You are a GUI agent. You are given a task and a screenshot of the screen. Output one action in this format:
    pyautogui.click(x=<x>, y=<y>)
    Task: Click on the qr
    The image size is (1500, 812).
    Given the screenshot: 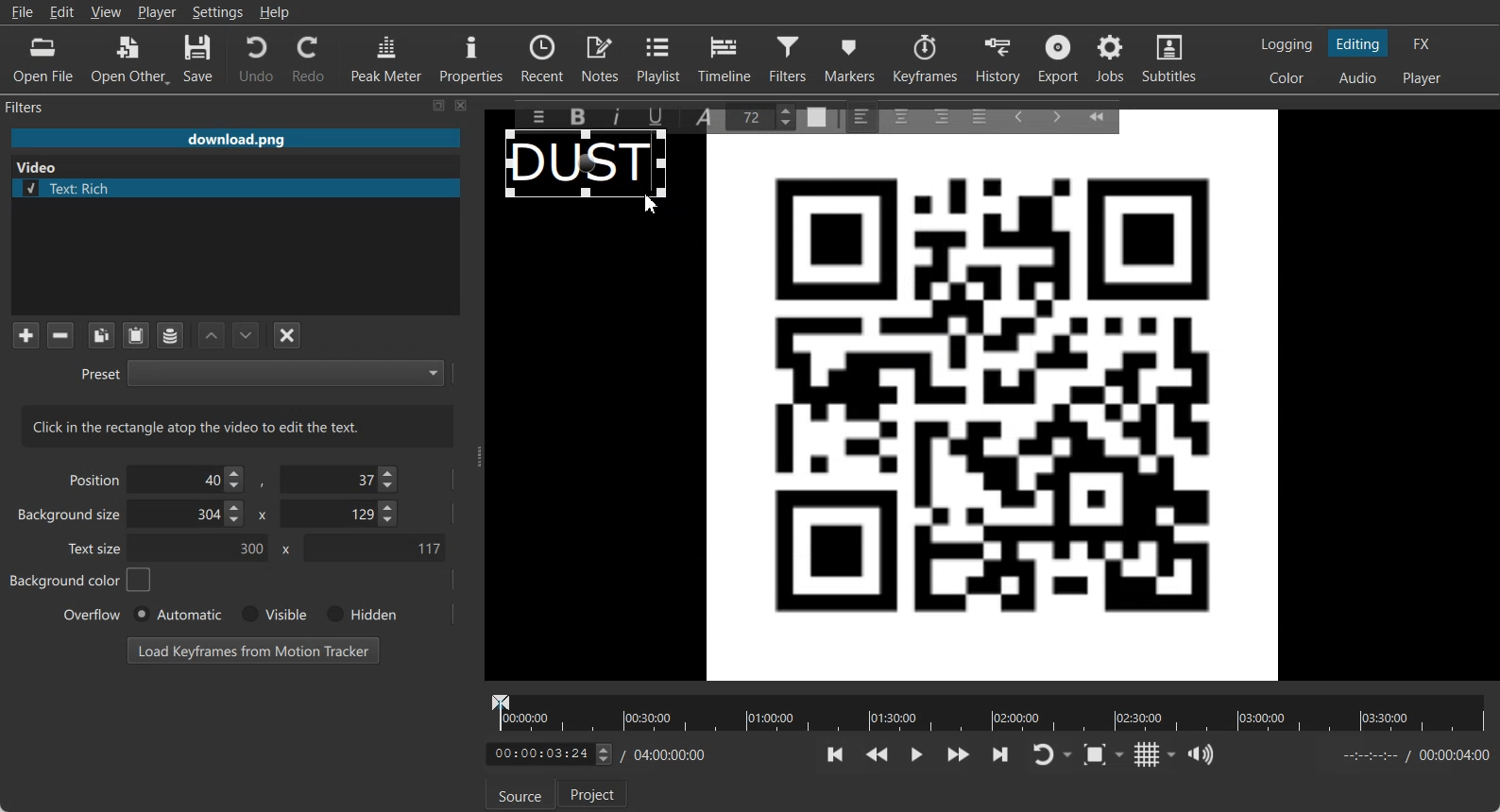 What is the action you would take?
    pyautogui.click(x=993, y=414)
    